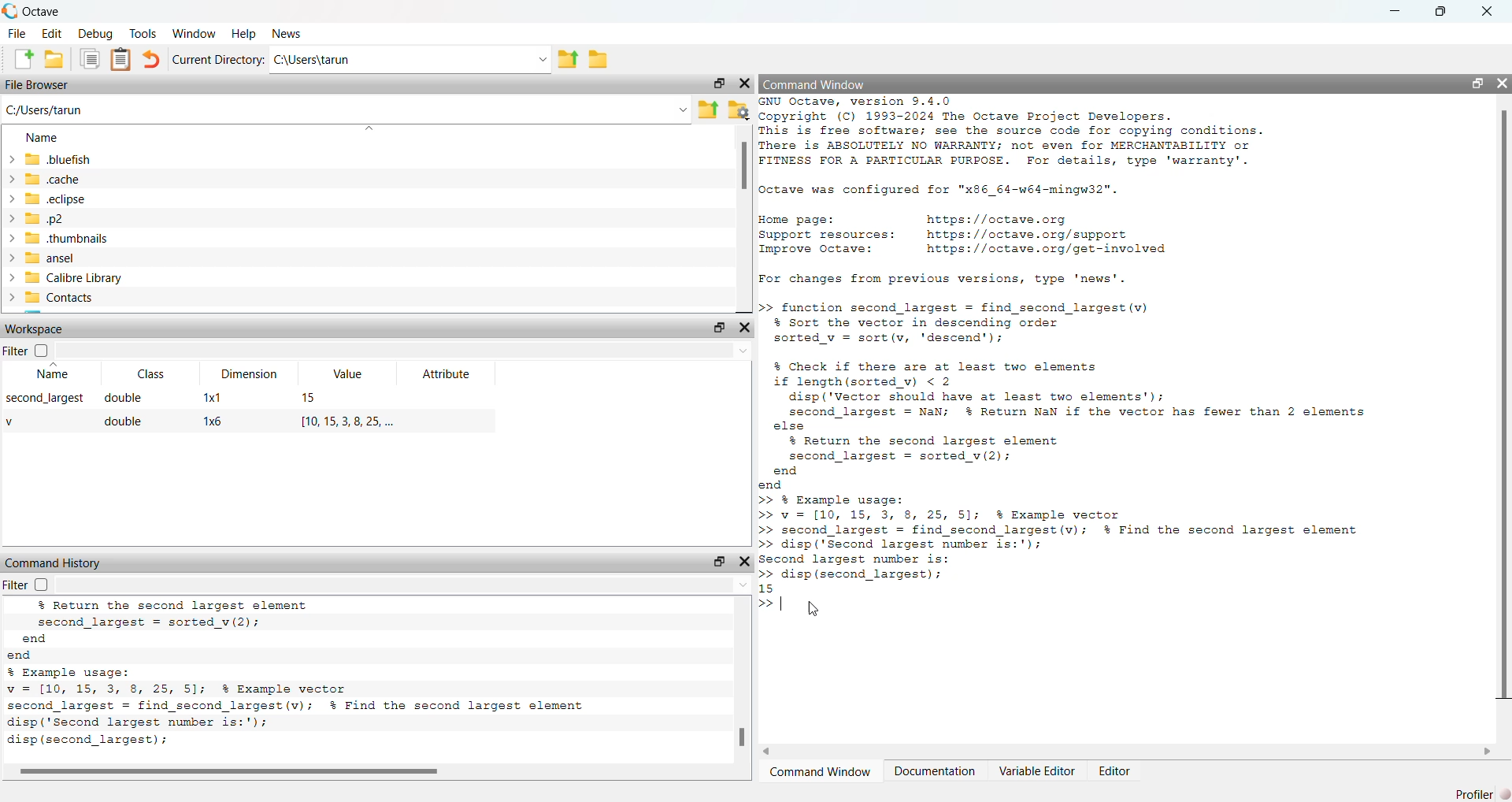 The image size is (1512, 802). Describe the element at coordinates (216, 395) in the screenshot. I see `1x1` at that location.